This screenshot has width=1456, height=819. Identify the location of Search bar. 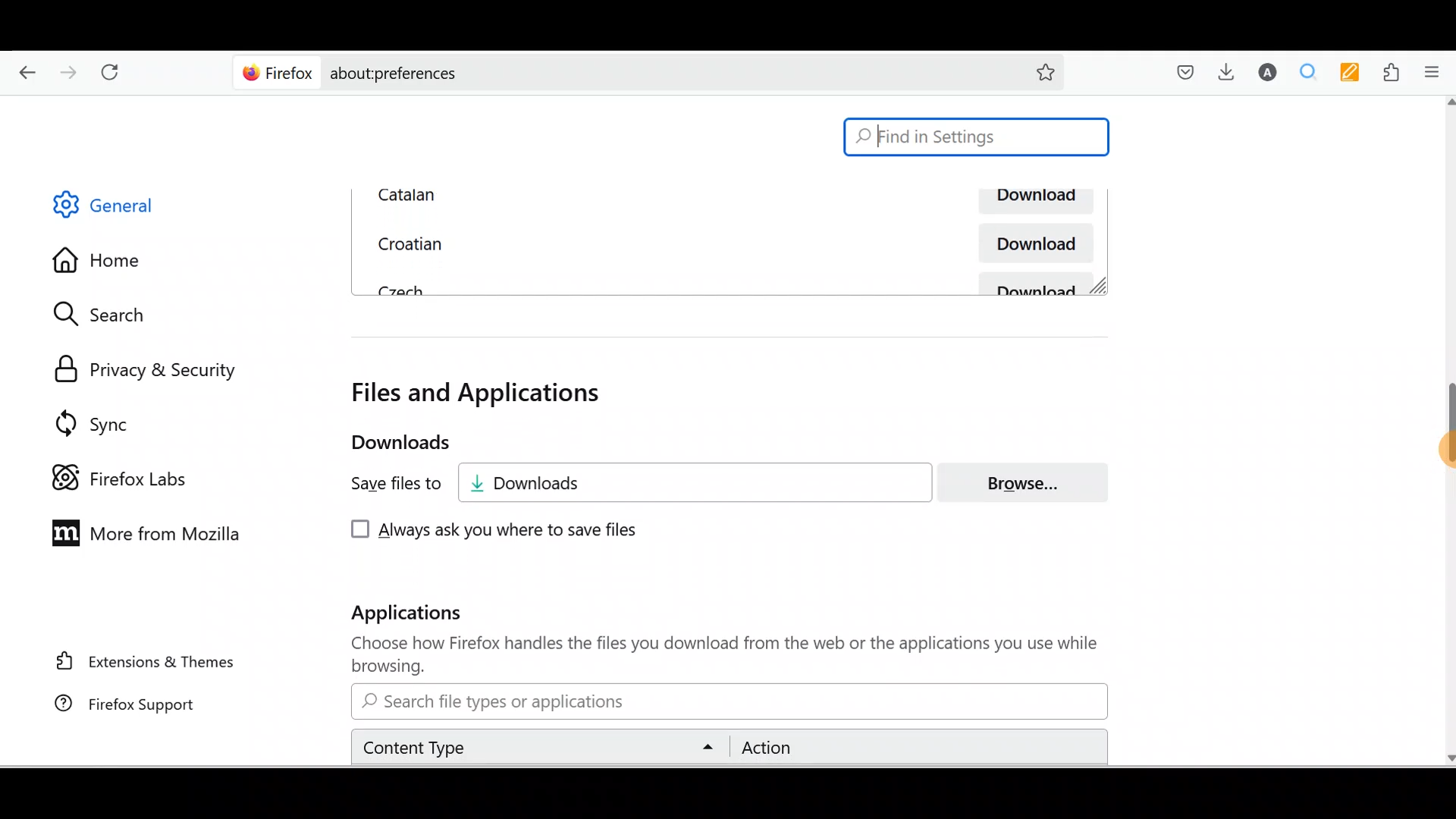
(726, 701).